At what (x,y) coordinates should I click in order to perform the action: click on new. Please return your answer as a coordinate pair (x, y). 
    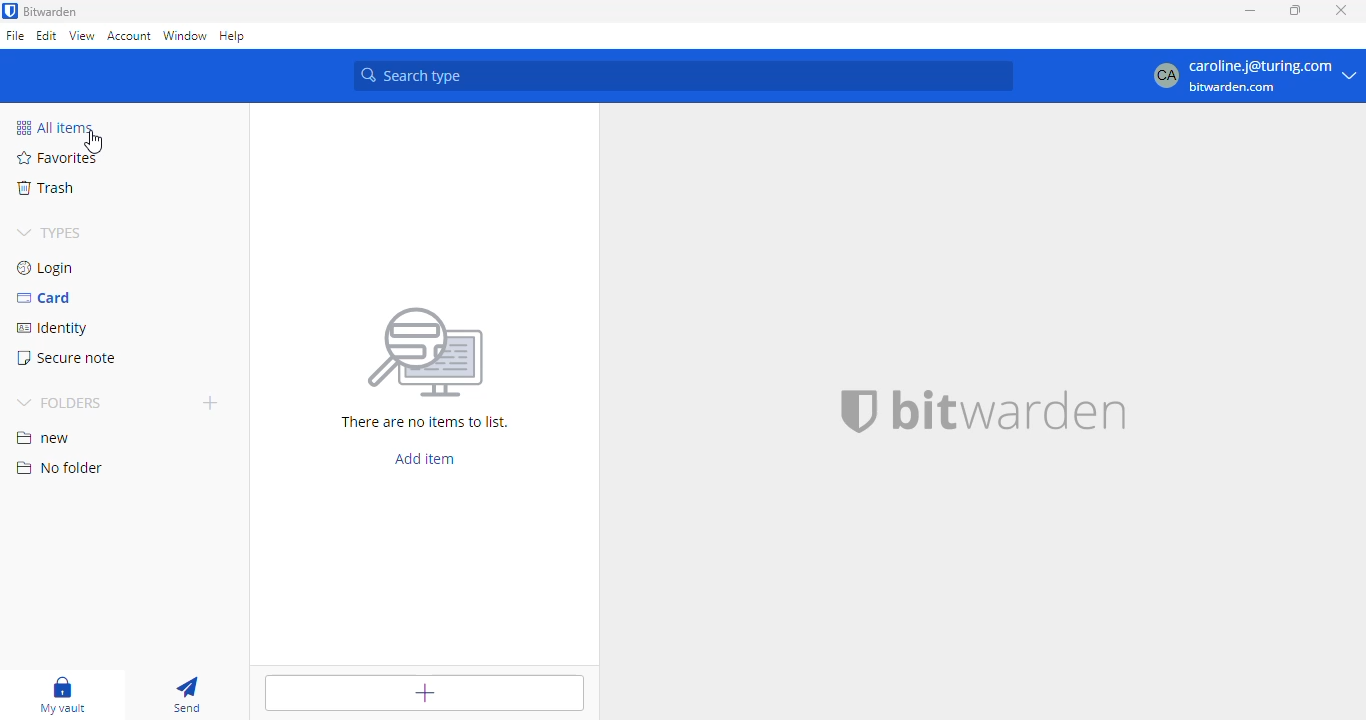
    Looking at the image, I should click on (44, 438).